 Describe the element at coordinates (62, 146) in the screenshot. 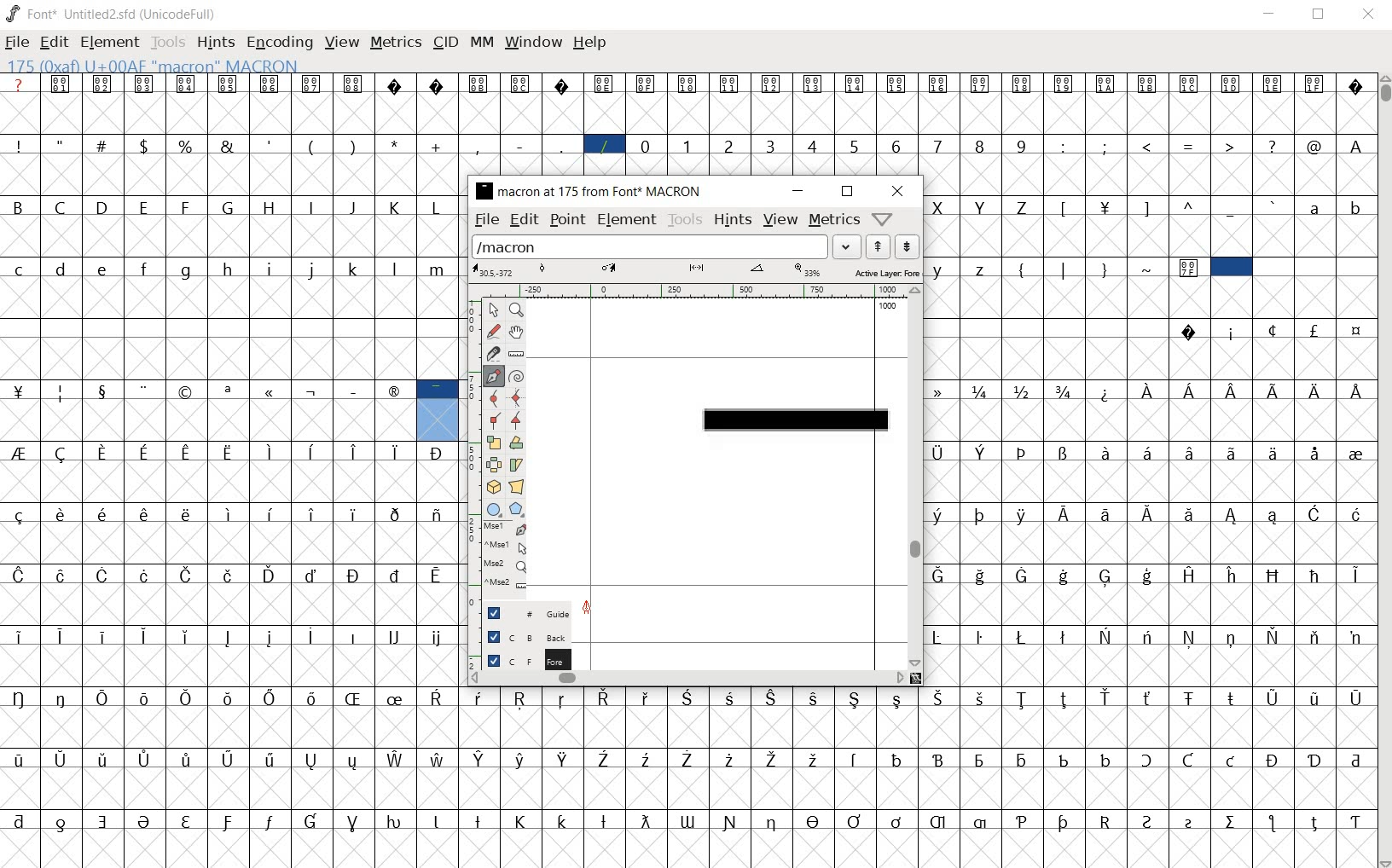

I see `"` at that location.